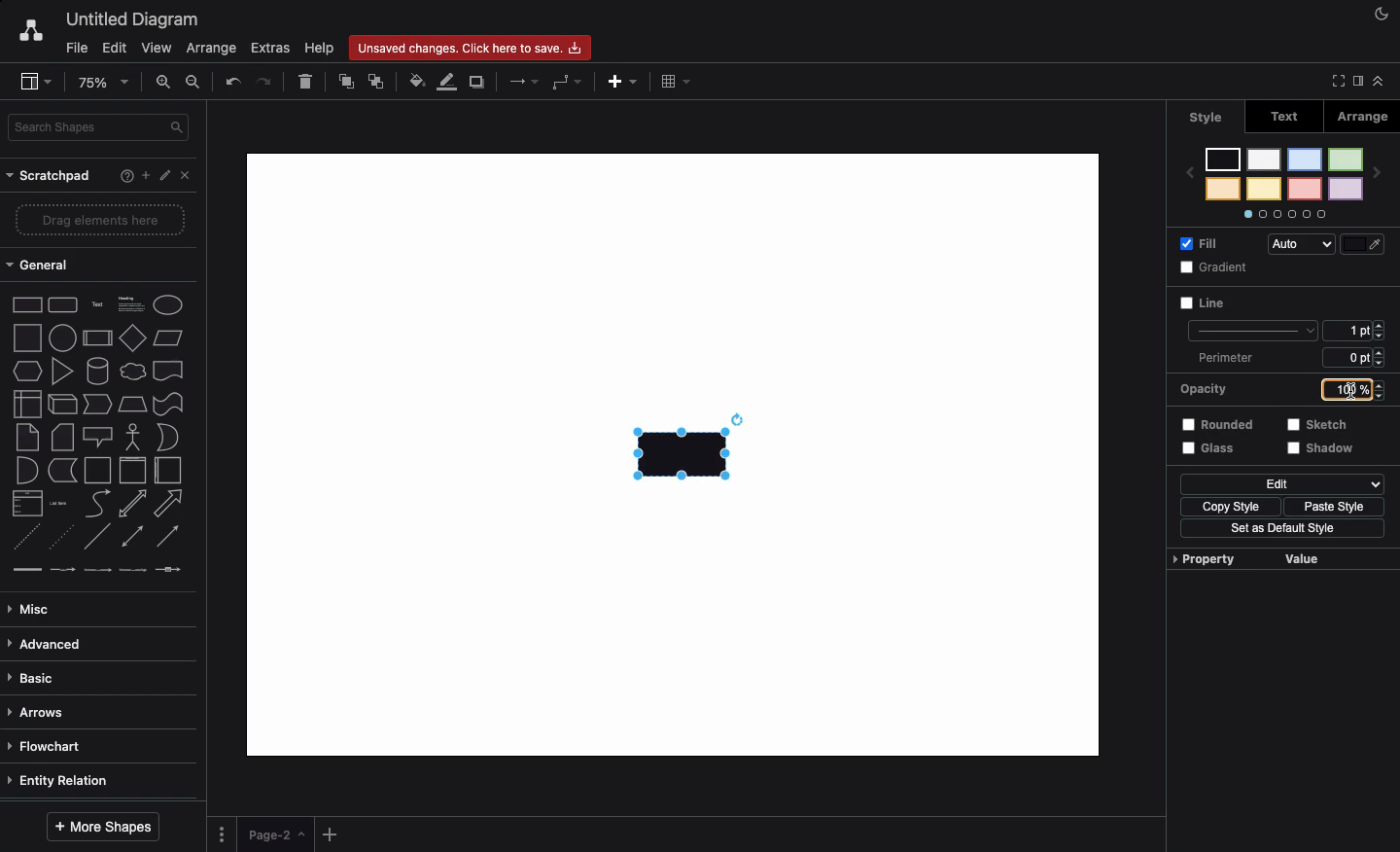  Describe the element at coordinates (61, 370) in the screenshot. I see `triangle` at that location.